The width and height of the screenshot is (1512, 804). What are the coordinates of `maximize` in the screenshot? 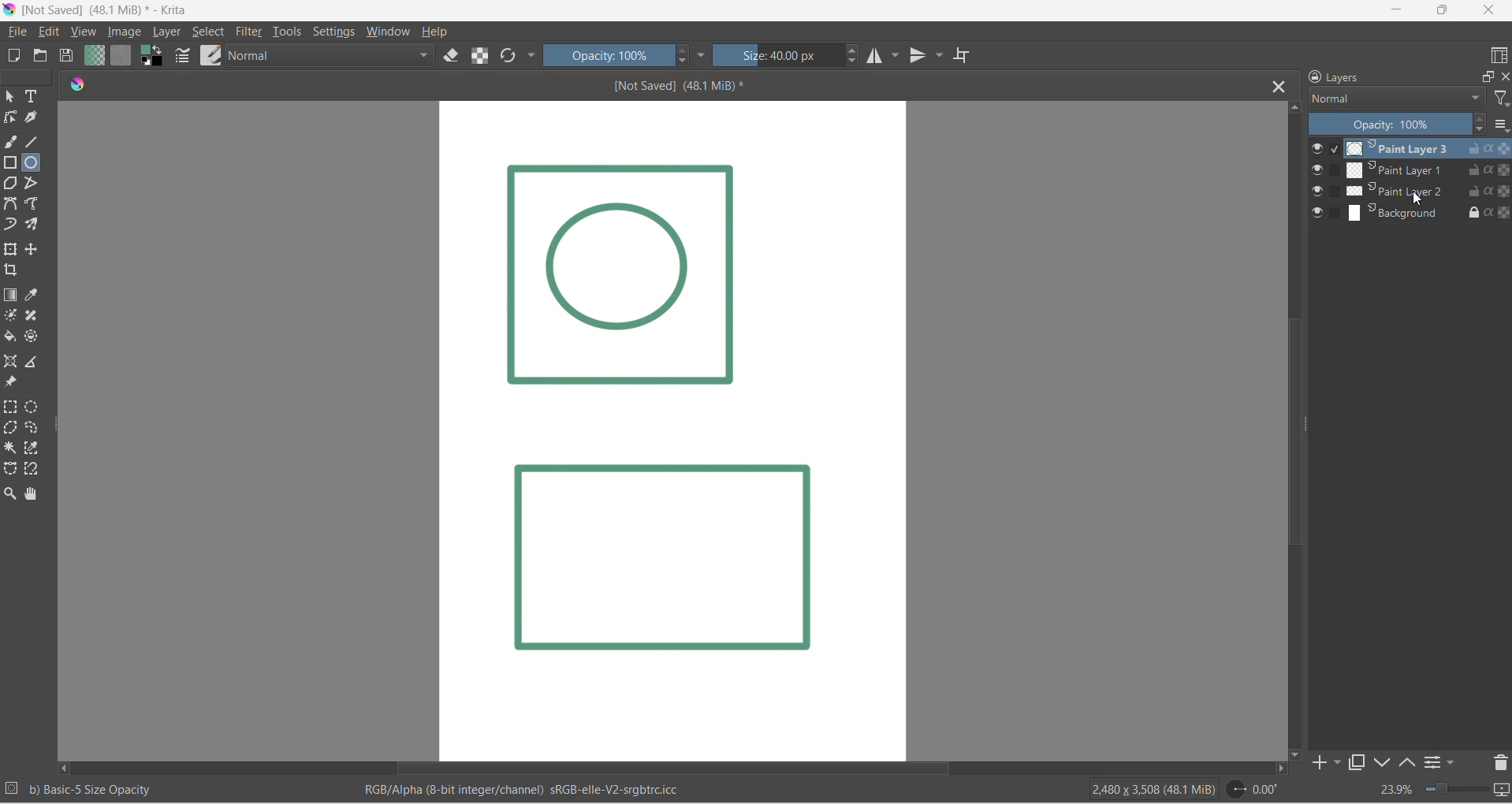 It's located at (1443, 12).